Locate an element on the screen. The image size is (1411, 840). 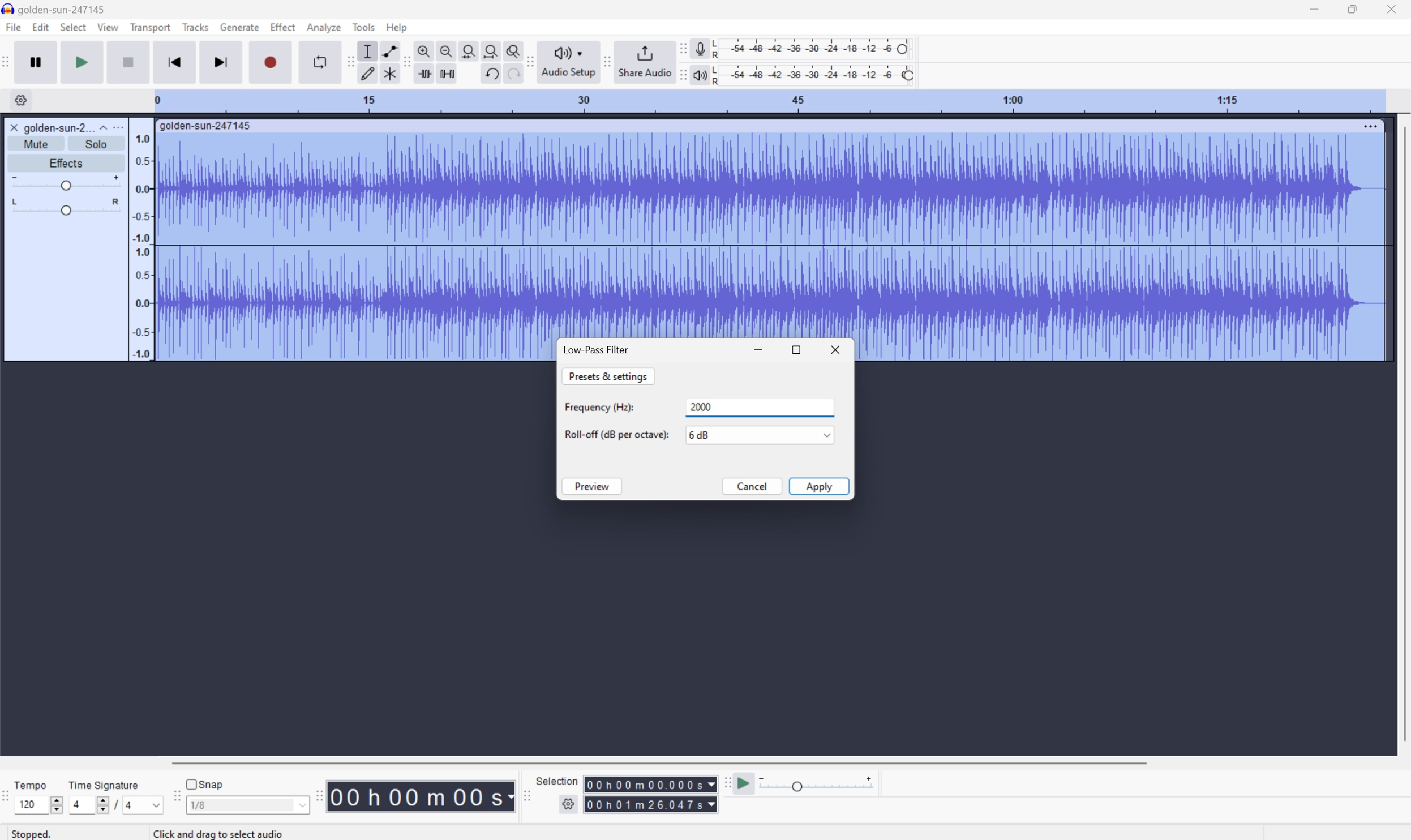
golden-sun-2... is located at coordinates (65, 127).